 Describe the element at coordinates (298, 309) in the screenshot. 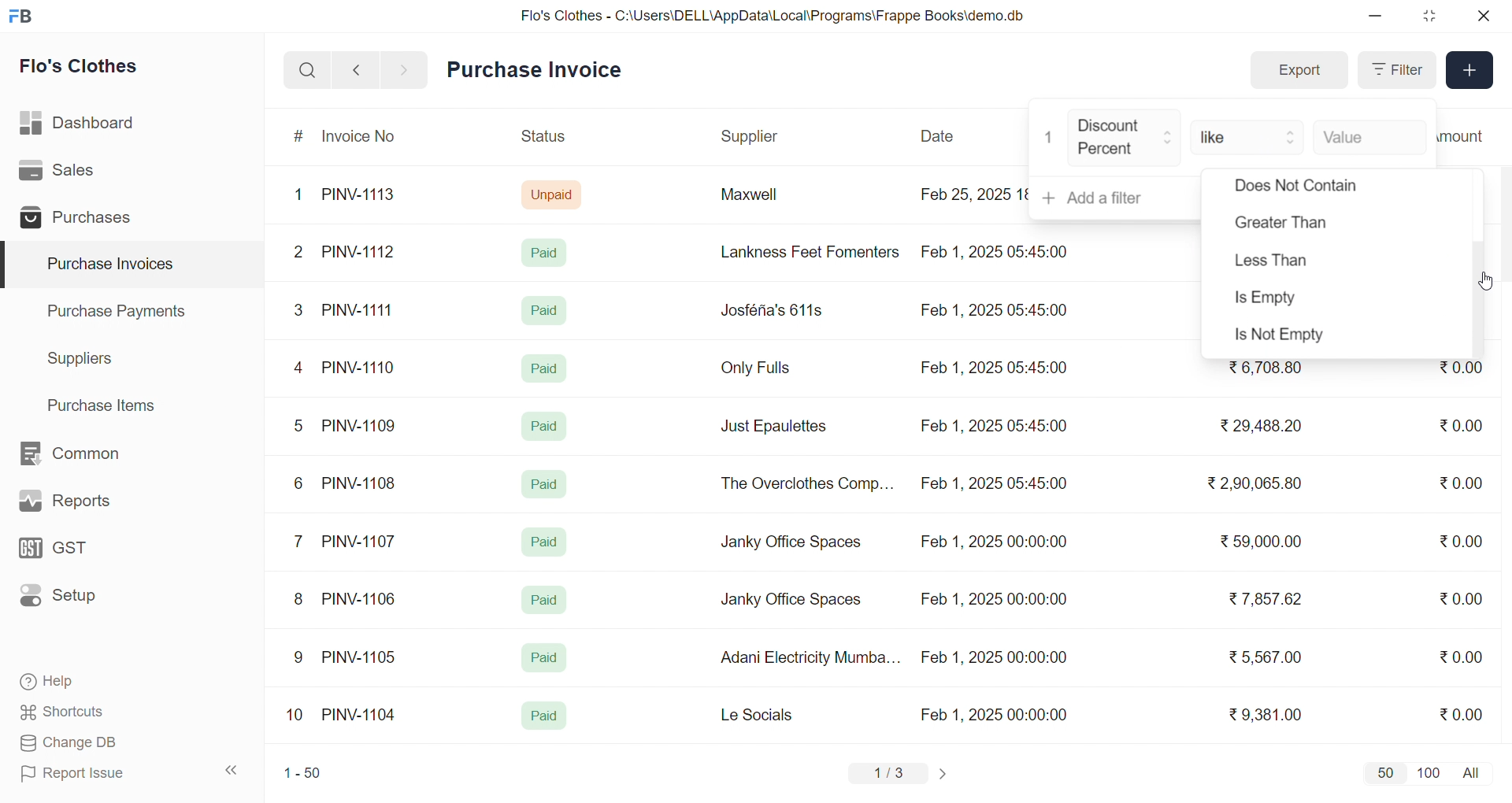

I see `3` at that location.